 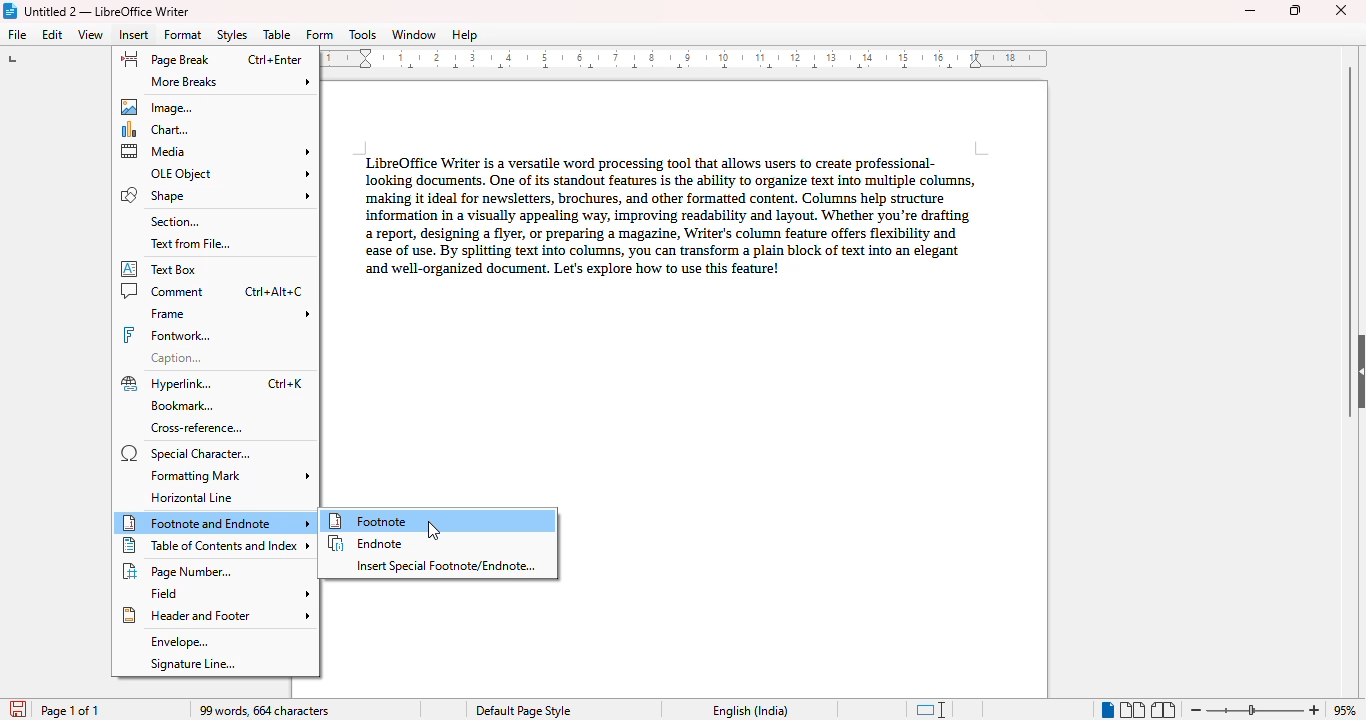 I want to click on page 1 of 1, so click(x=71, y=711).